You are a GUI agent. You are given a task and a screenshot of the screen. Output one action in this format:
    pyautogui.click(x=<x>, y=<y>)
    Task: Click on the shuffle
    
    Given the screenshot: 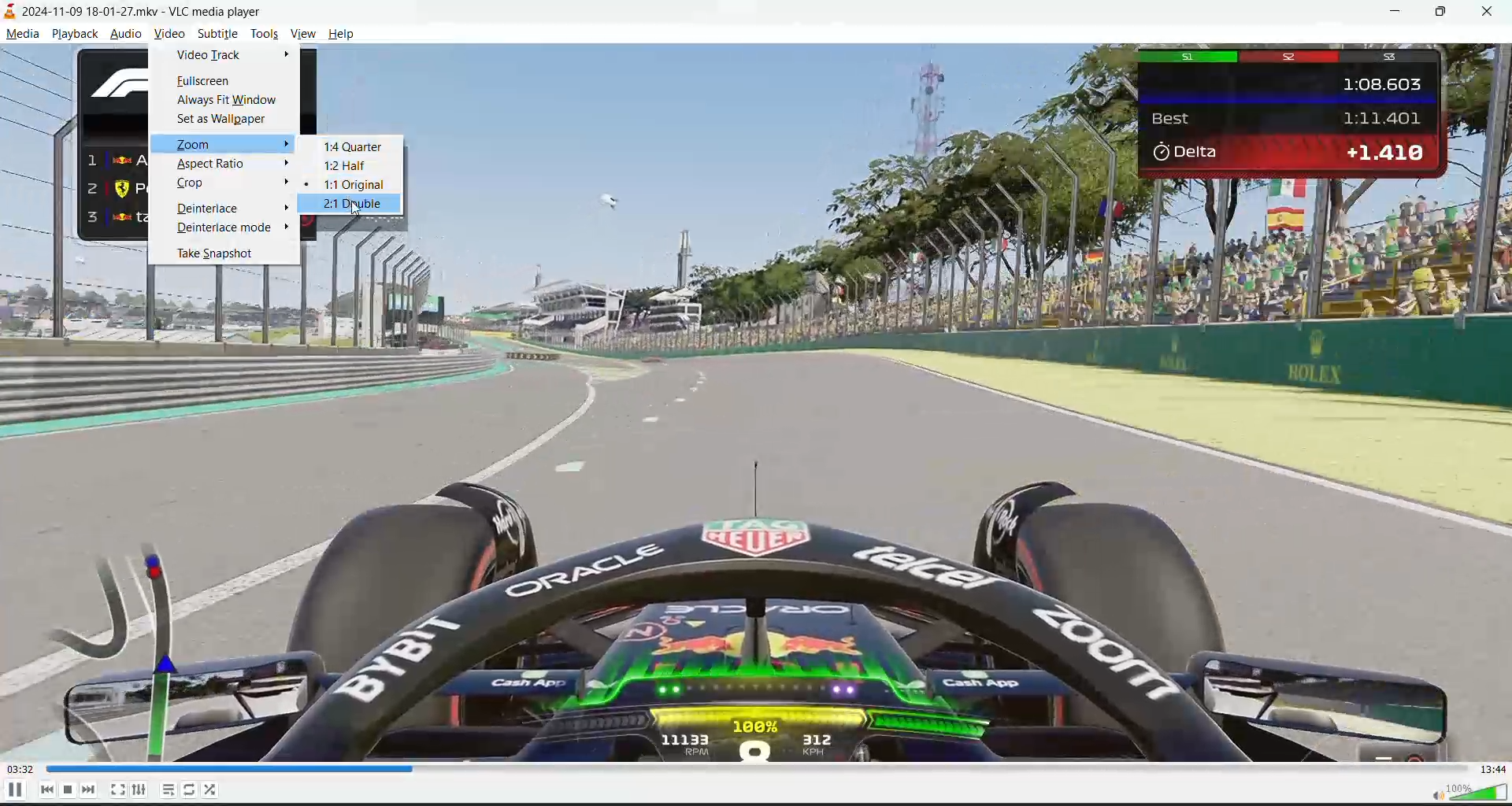 What is the action you would take?
    pyautogui.click(x=211, y=790)
    